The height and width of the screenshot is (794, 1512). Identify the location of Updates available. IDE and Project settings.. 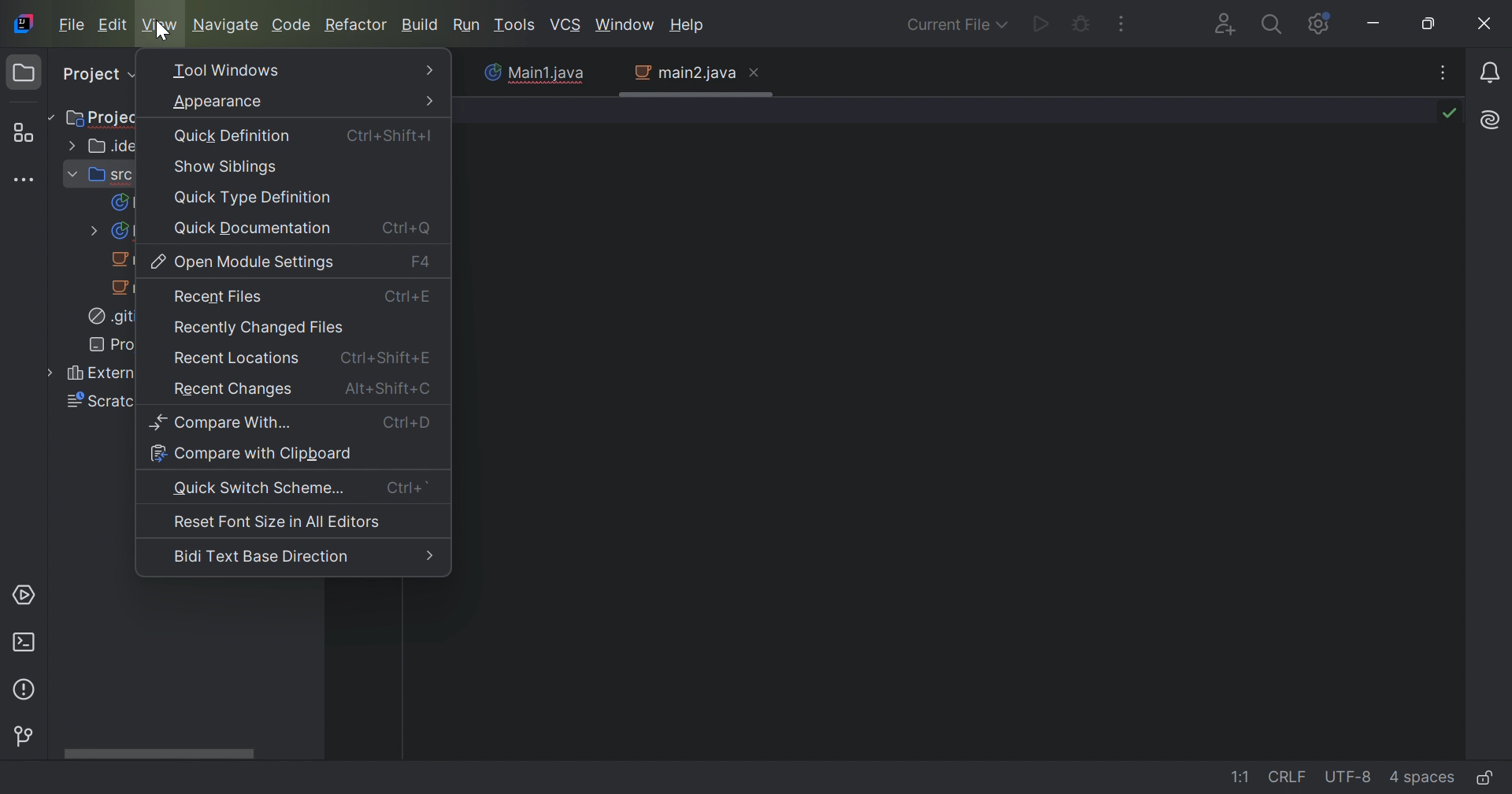
(1319, 24).